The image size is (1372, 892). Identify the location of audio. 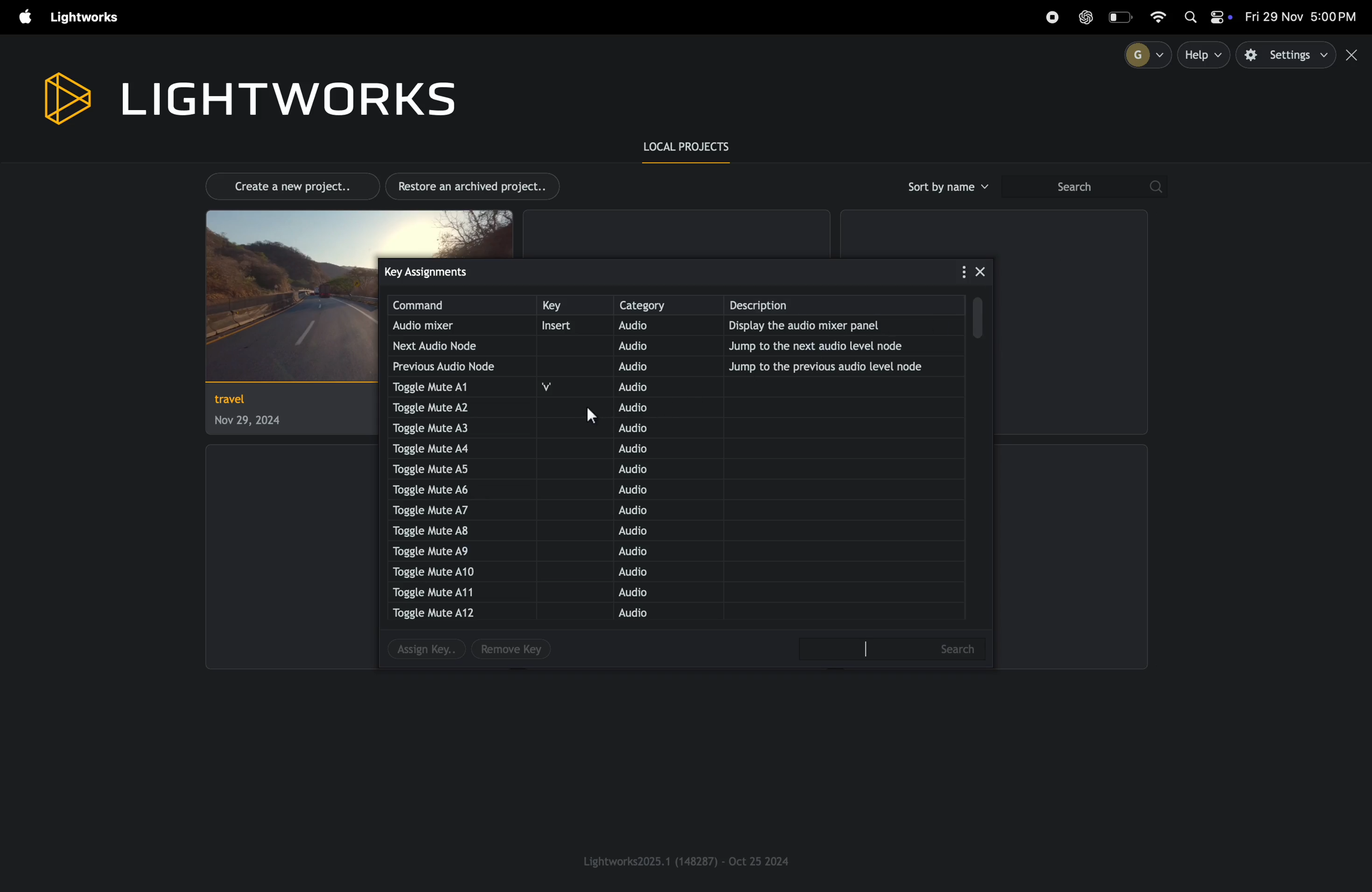
(641, 493).